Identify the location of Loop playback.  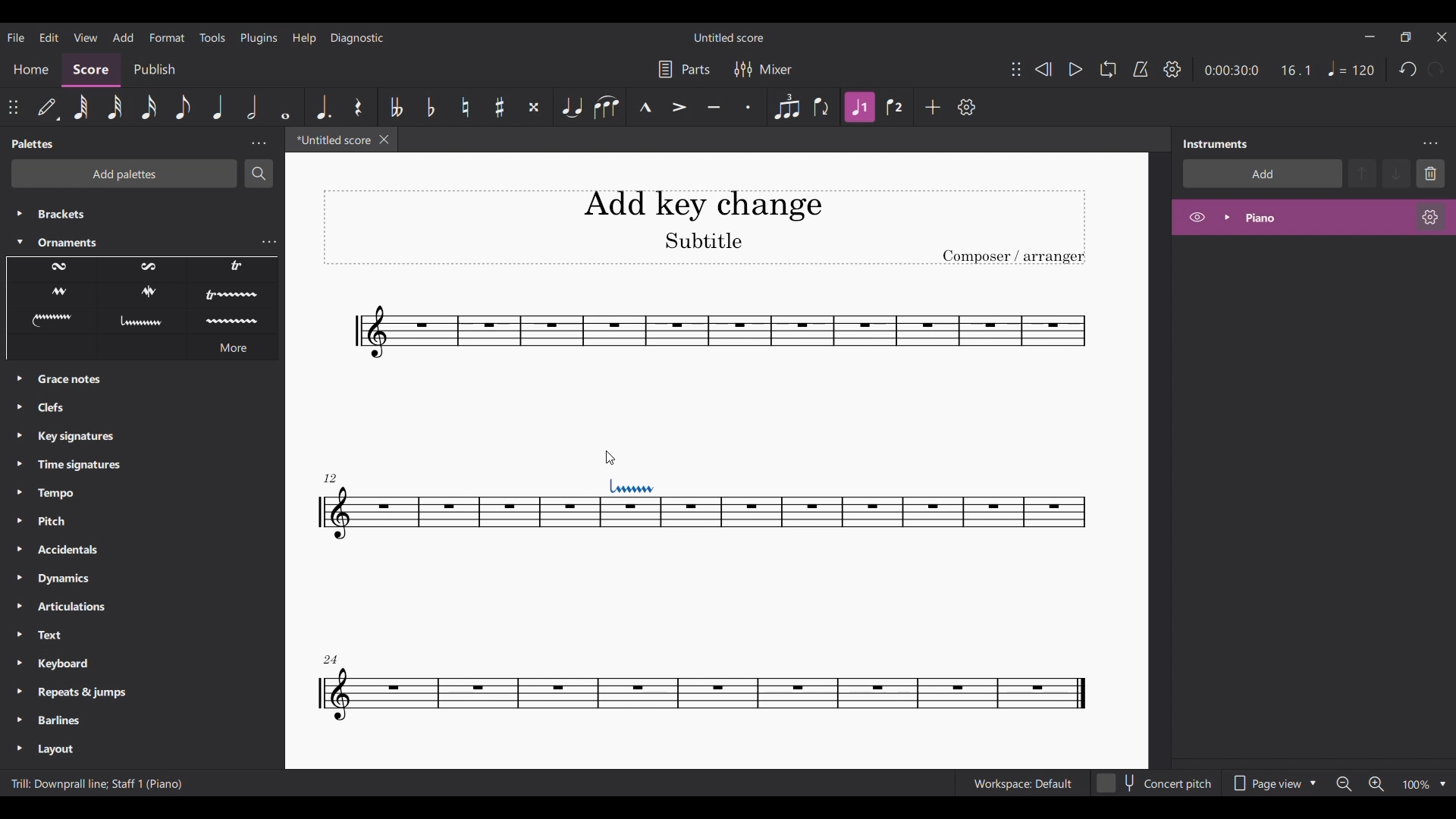
(1108, 69).